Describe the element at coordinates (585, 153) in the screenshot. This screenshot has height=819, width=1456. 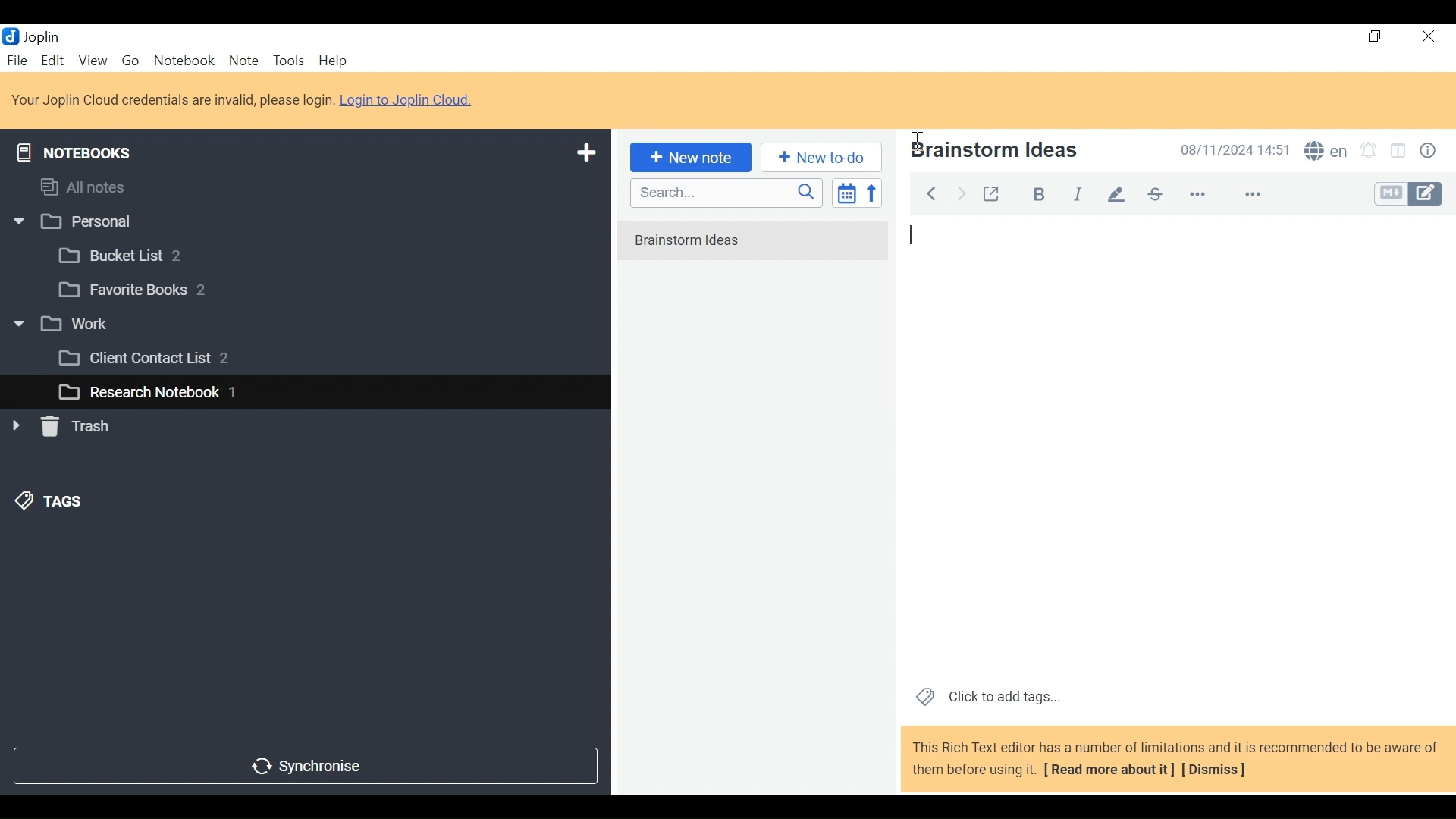
I see `Add New Notebook` at that location.